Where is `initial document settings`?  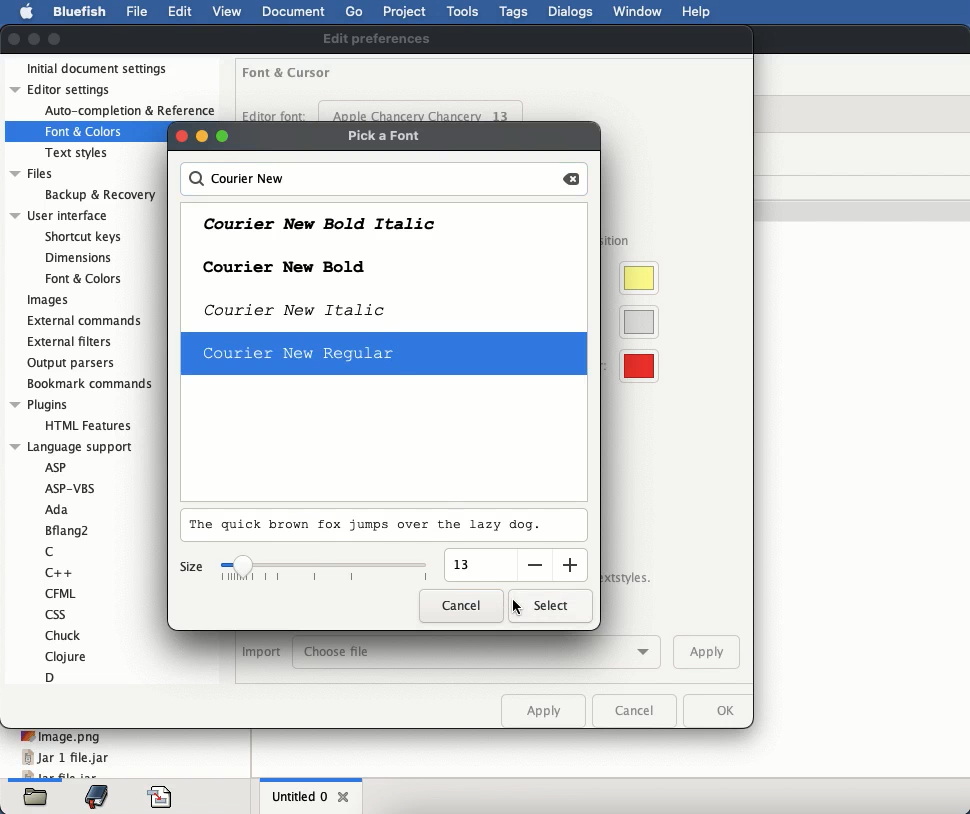 initial document settings is located at coordinates (104, 68).